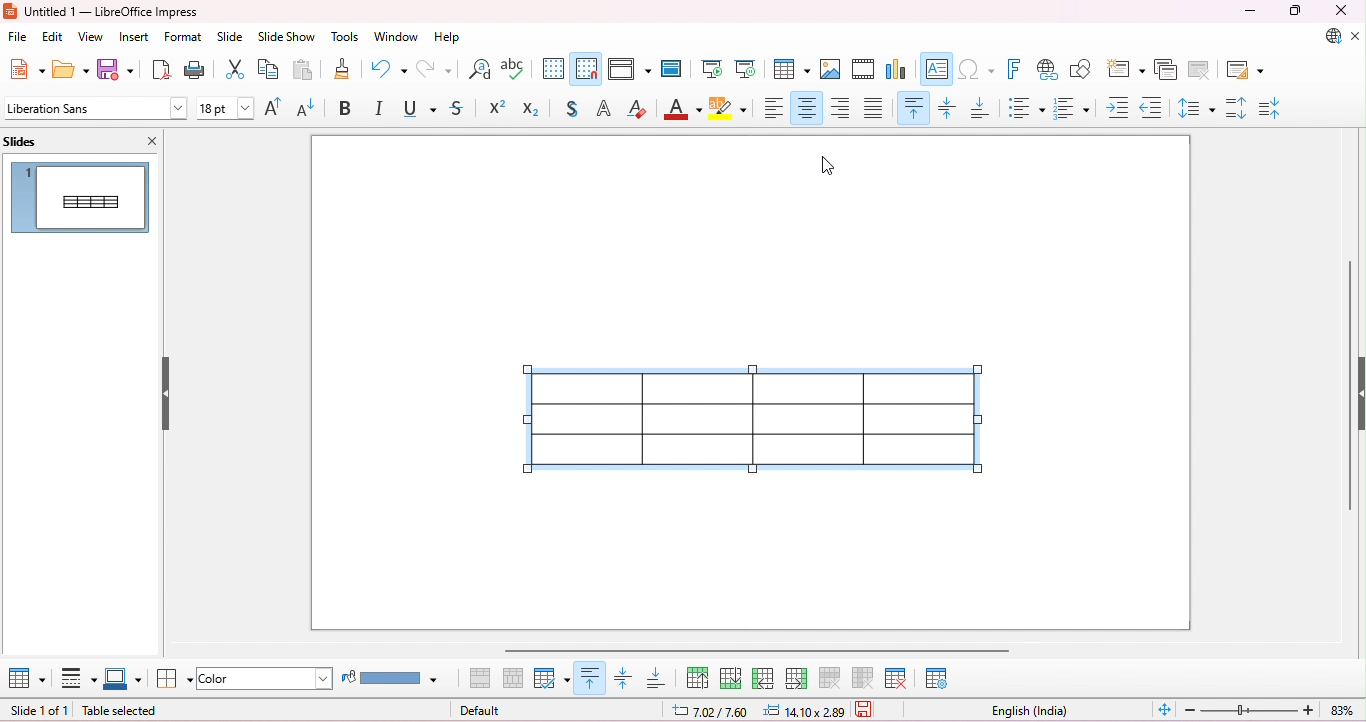 This screenshot has height=722, width=1366. Describe the element at coordinates (949, 106) in the screenshot. I see `center vertically` at that location.